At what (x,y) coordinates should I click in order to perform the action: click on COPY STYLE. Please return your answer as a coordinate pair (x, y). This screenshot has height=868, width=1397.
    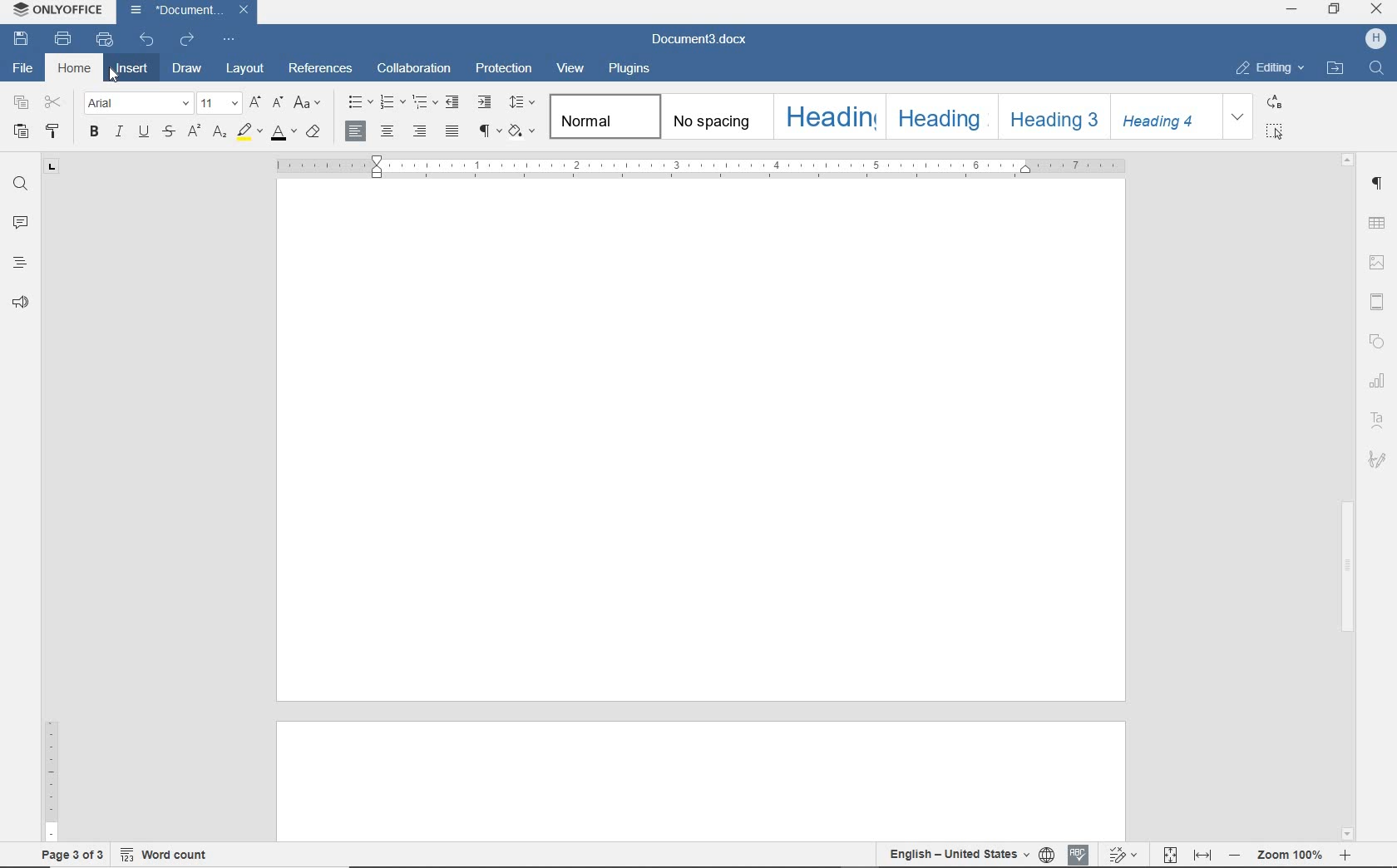
    Looking at the image, I should click on (54, 131).